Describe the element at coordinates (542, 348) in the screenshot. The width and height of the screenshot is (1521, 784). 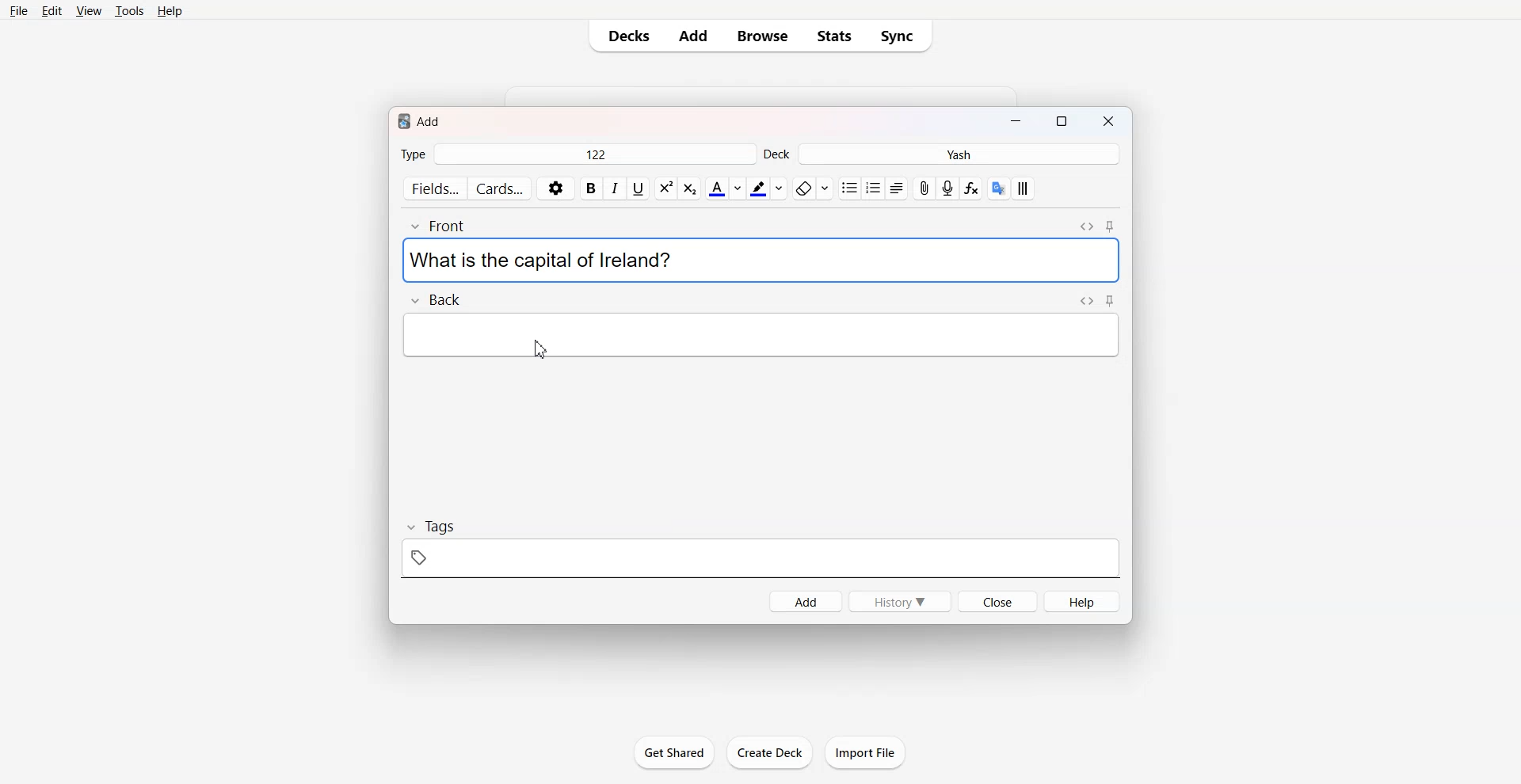
I see `Cursor` at that location.